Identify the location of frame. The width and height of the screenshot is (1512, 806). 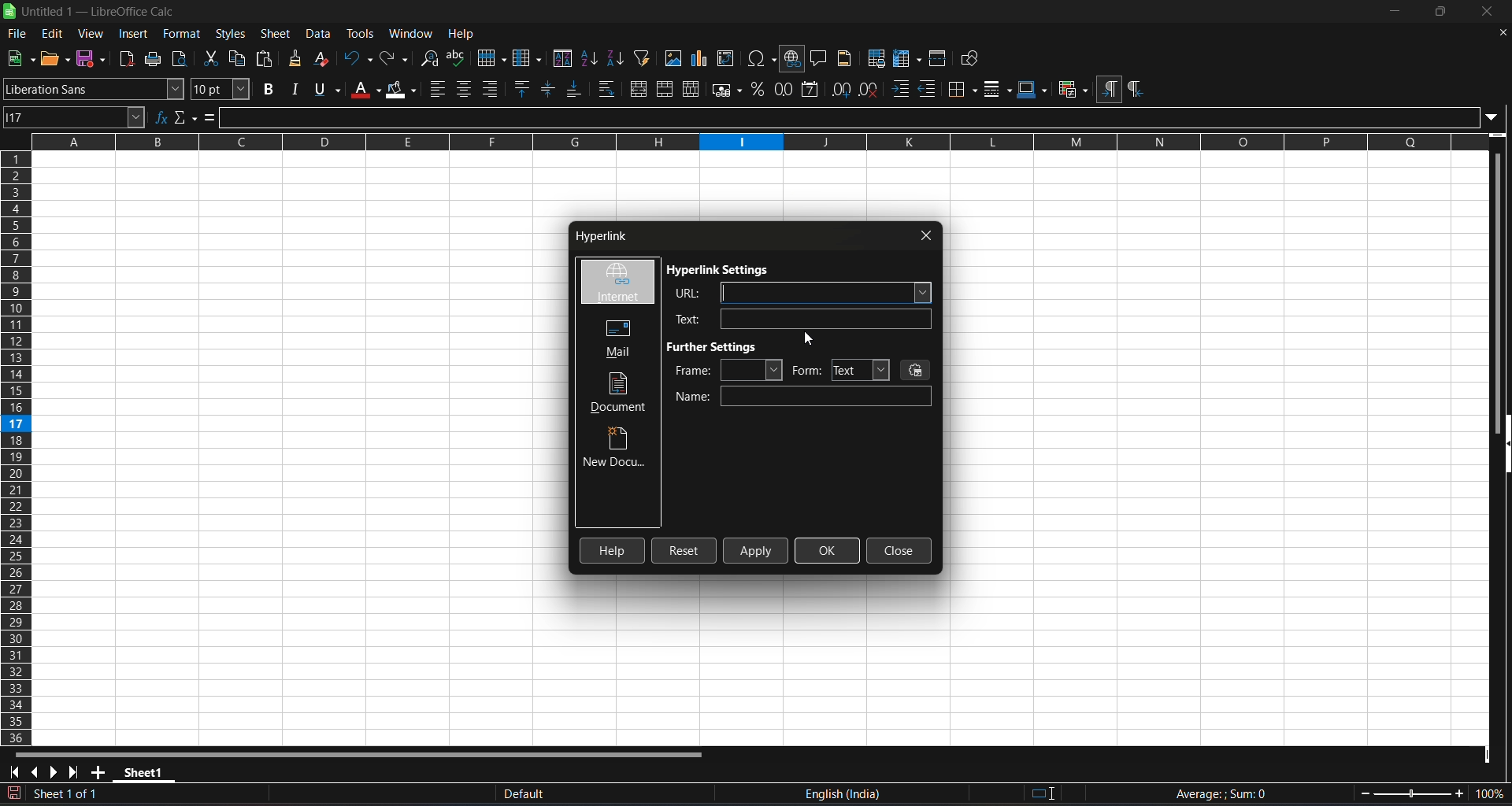
(728, 370).